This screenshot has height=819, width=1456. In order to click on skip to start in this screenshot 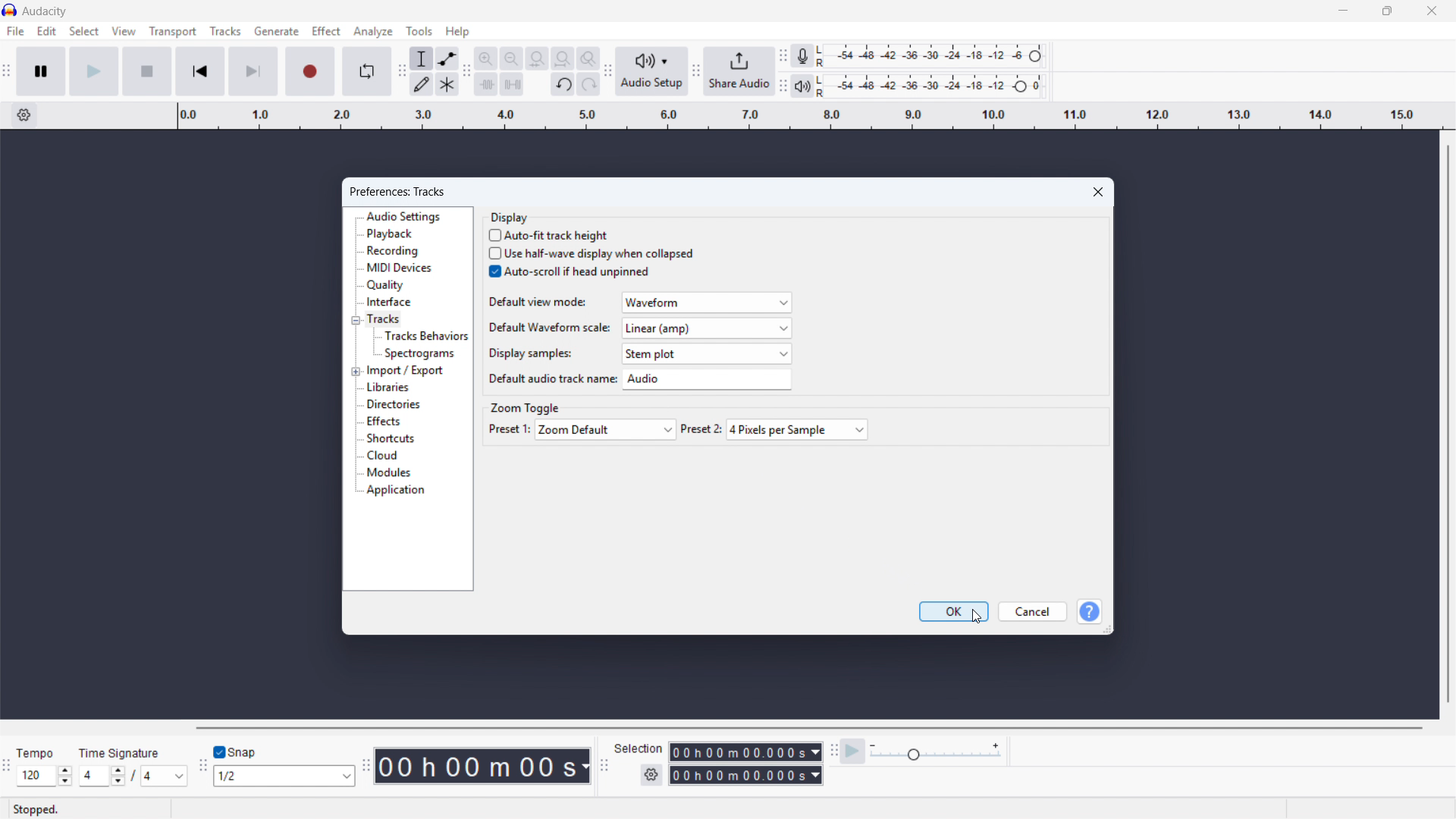, I will do `click(200, 71)`.